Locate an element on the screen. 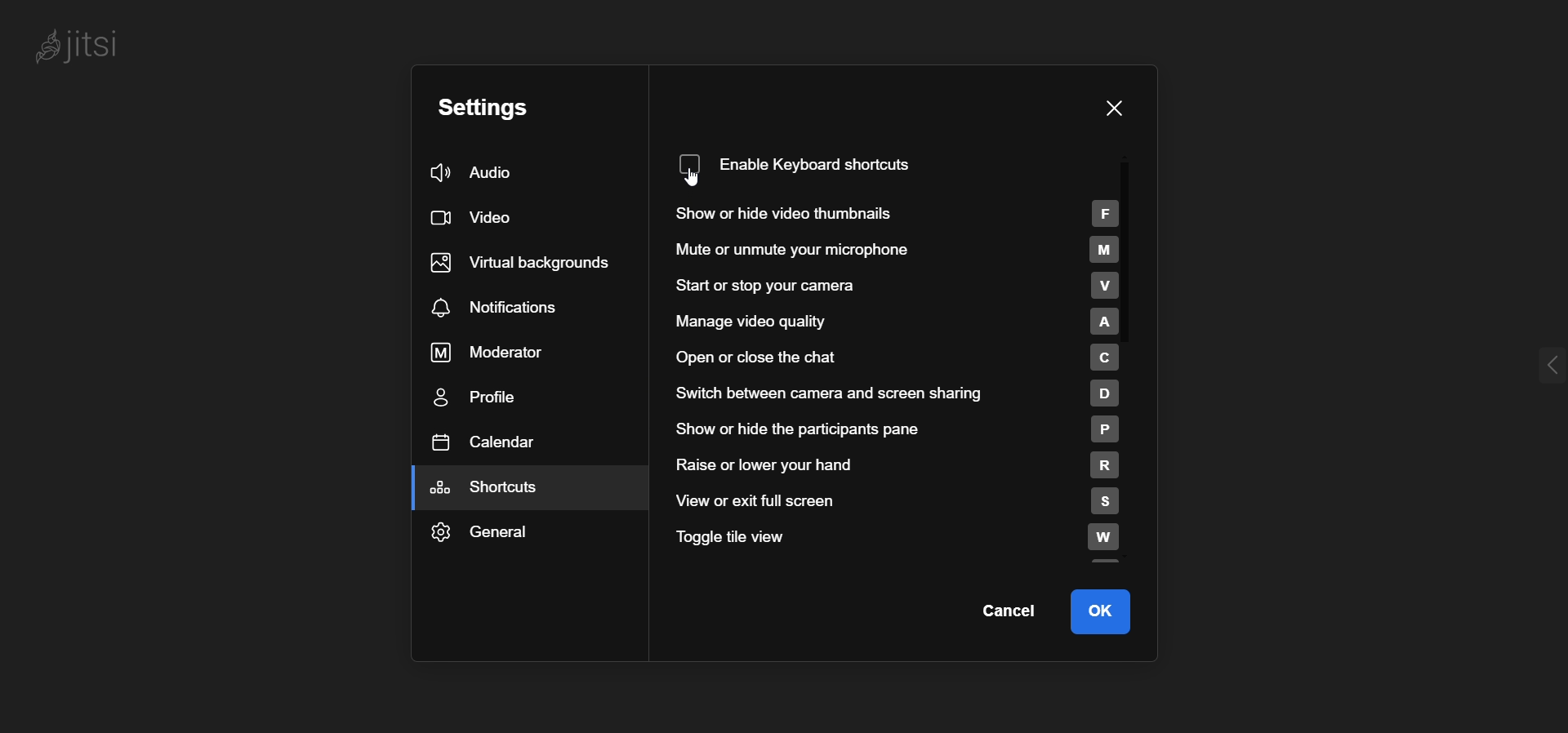 The image size is (1568, 733). disabled keyboard shortcut is located at coordinates (820, 162).